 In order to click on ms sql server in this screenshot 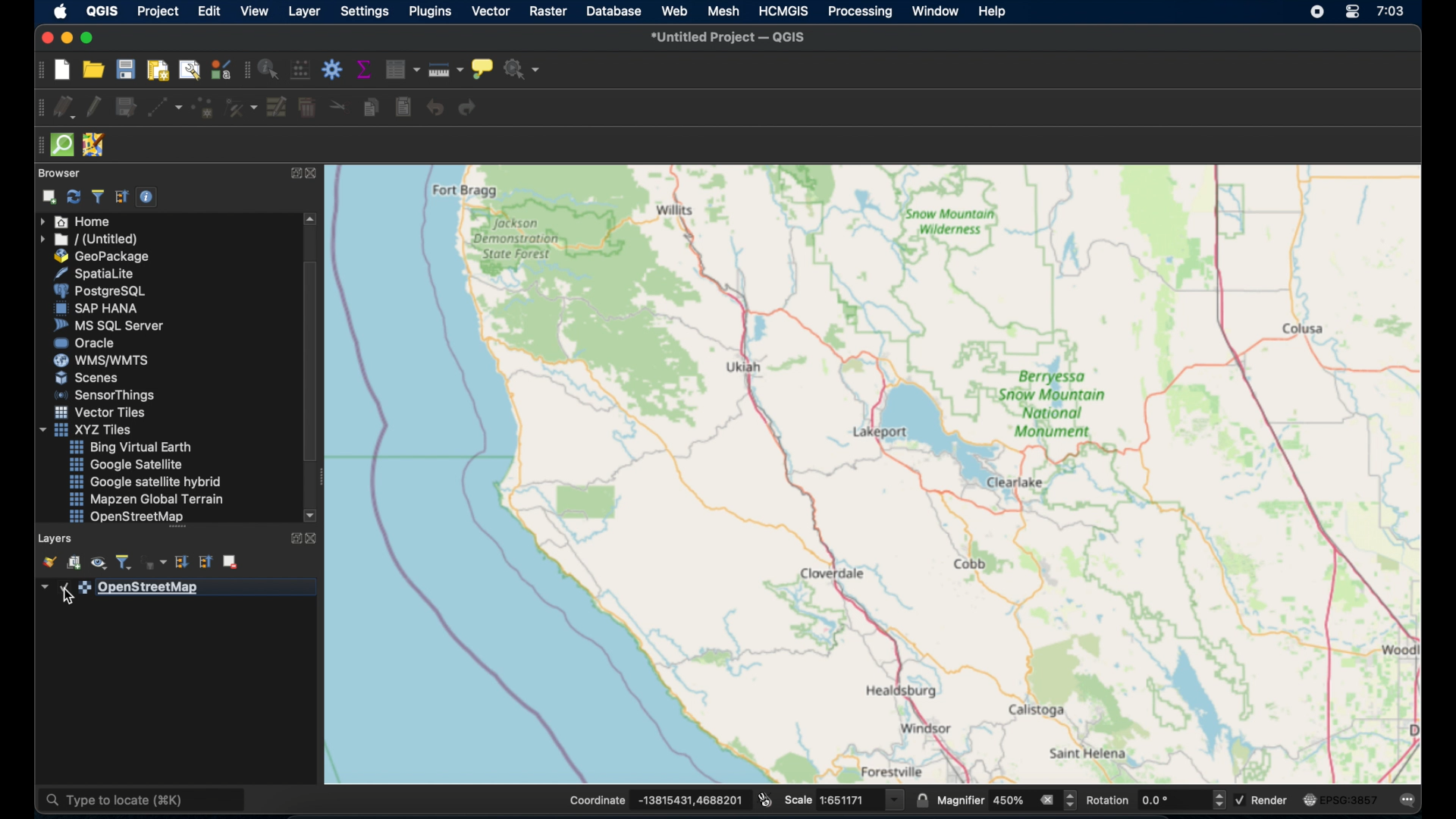, I will do `click(108, 325)`.